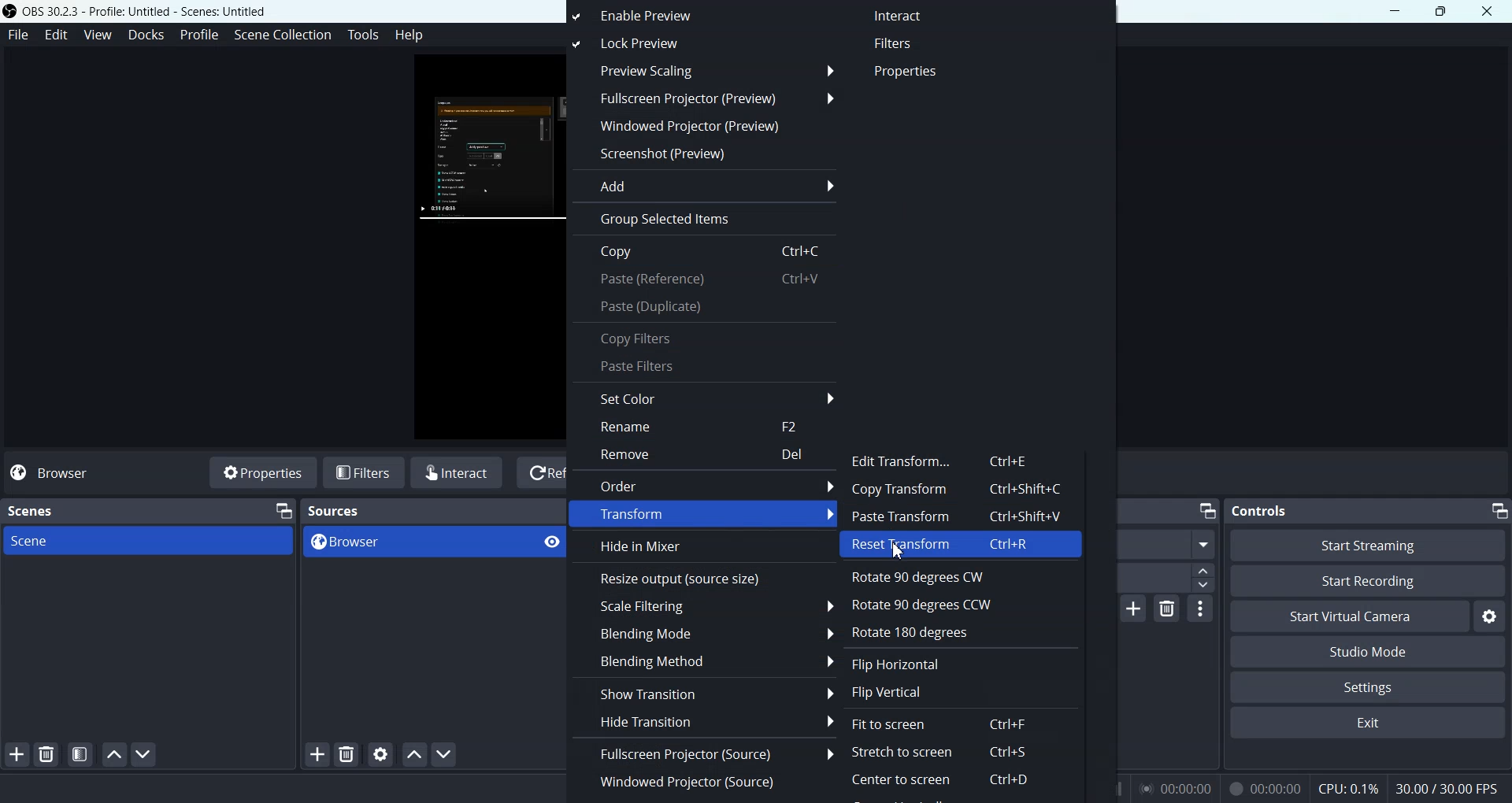 The width and height of the screenshot is (1512, 803). I want to click on Open scene Filter, so click(80, 754).